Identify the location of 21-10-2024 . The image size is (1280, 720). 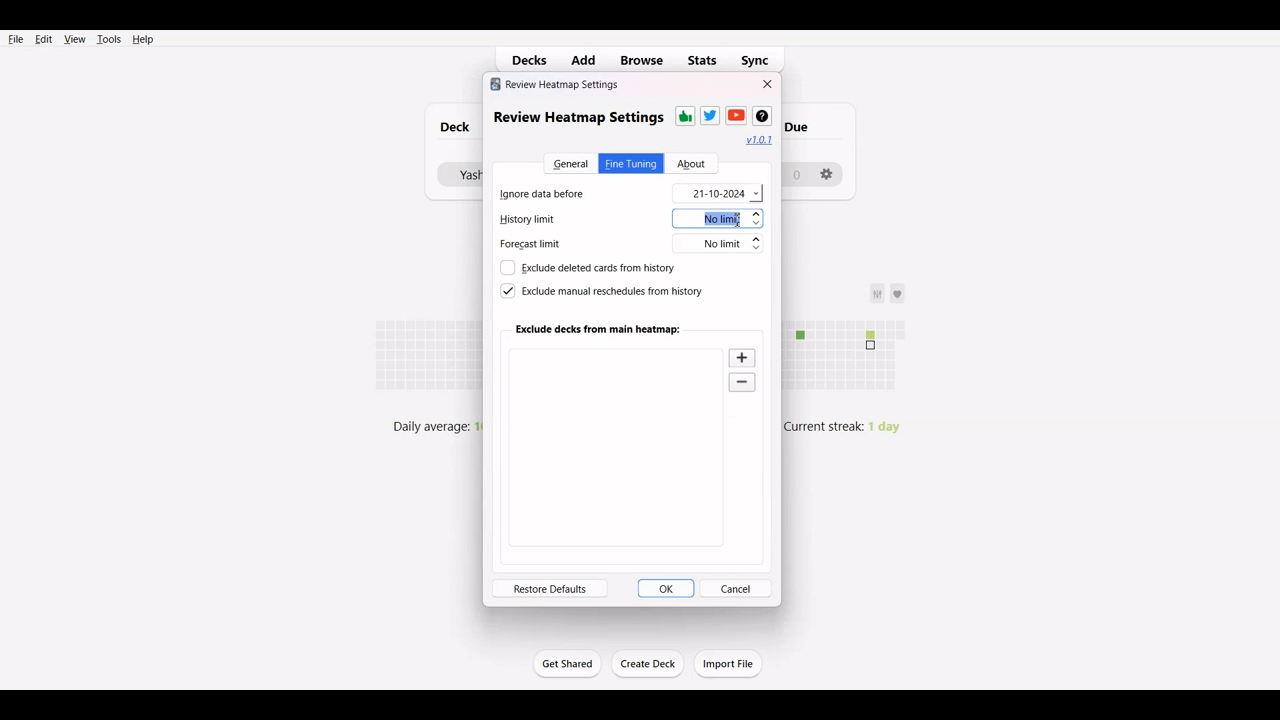
(718, 193).